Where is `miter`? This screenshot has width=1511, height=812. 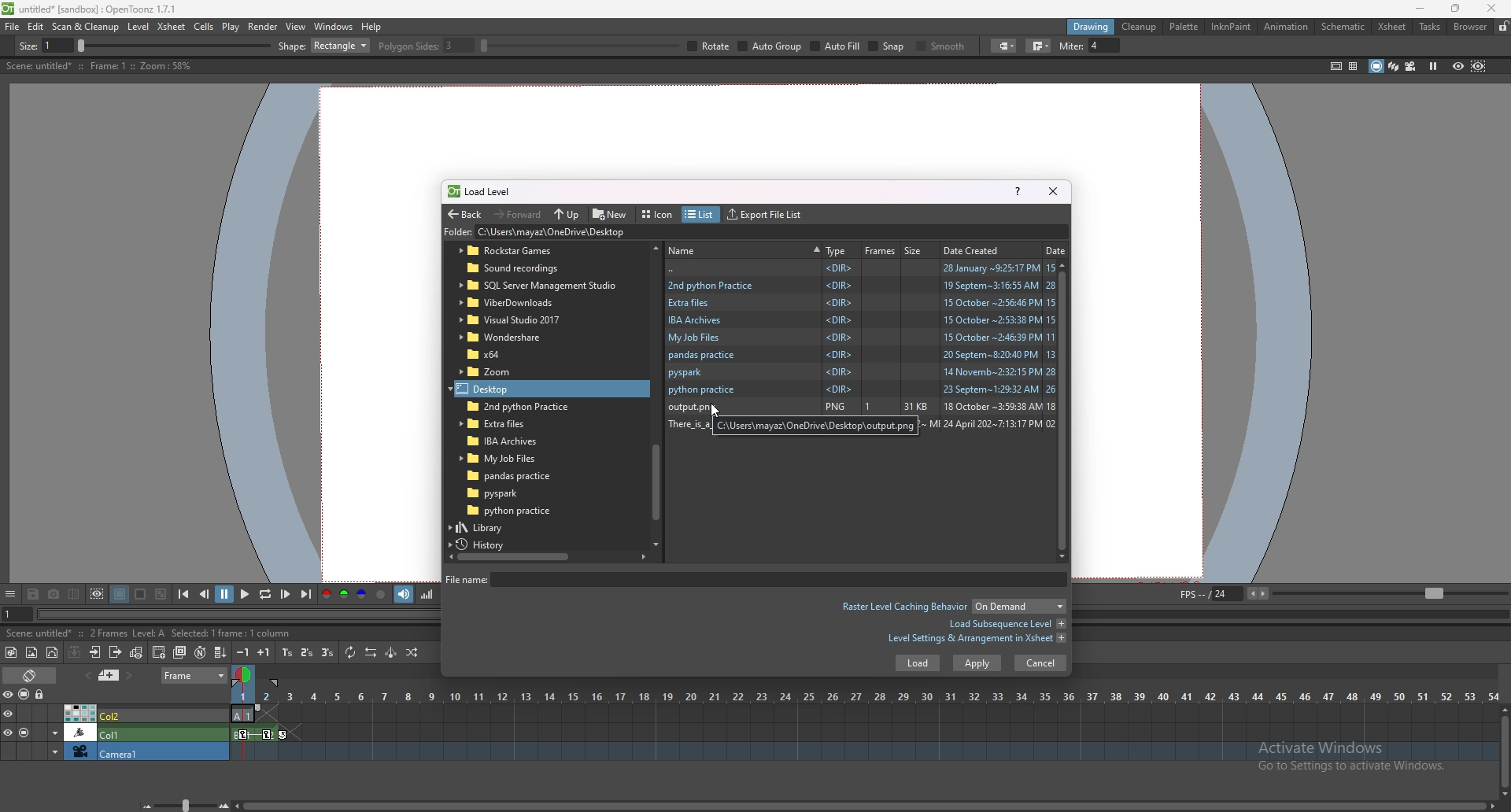 miter is located at coordinates (1364, 46).